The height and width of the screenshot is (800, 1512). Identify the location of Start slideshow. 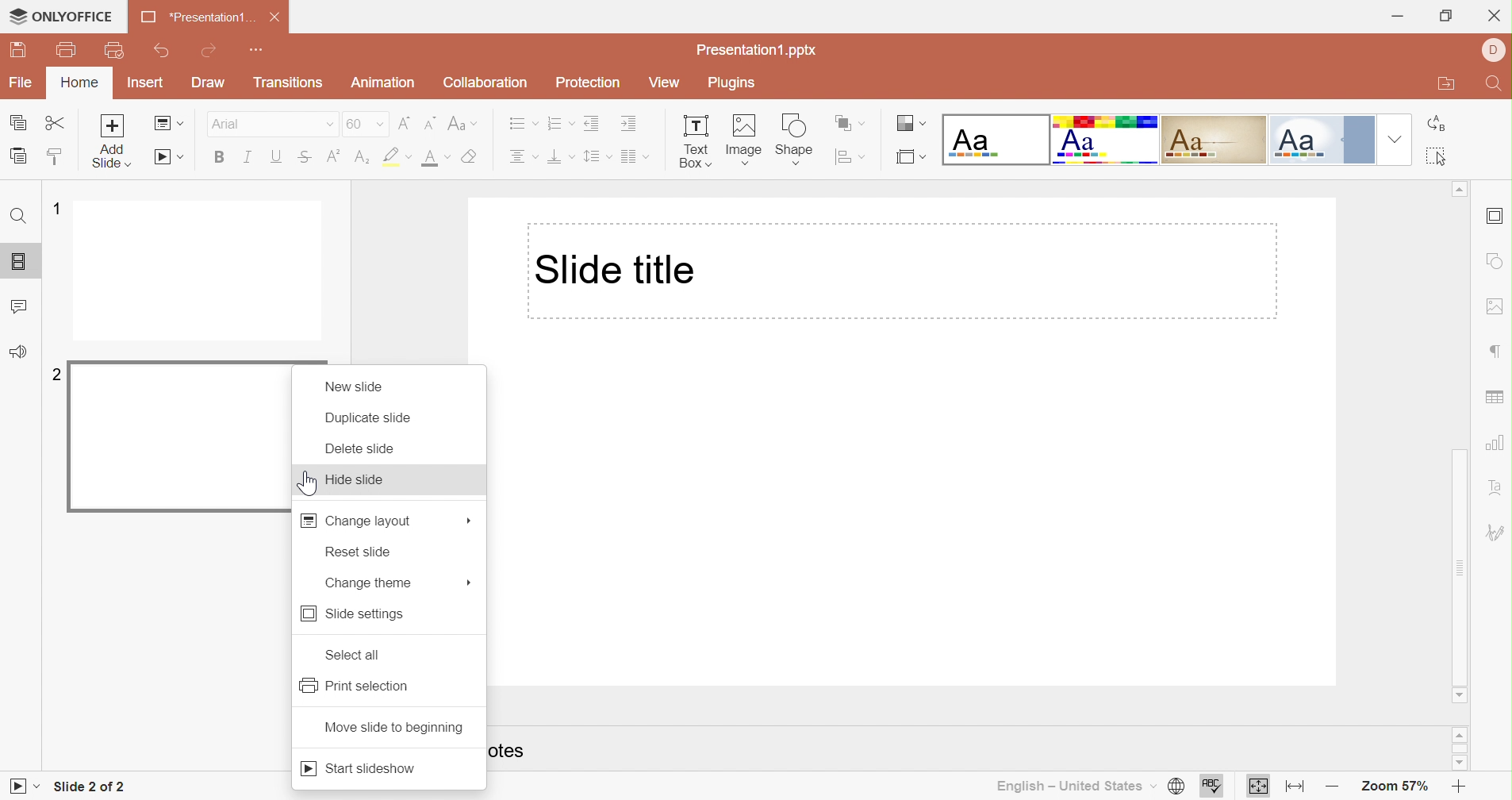
(357, 768).